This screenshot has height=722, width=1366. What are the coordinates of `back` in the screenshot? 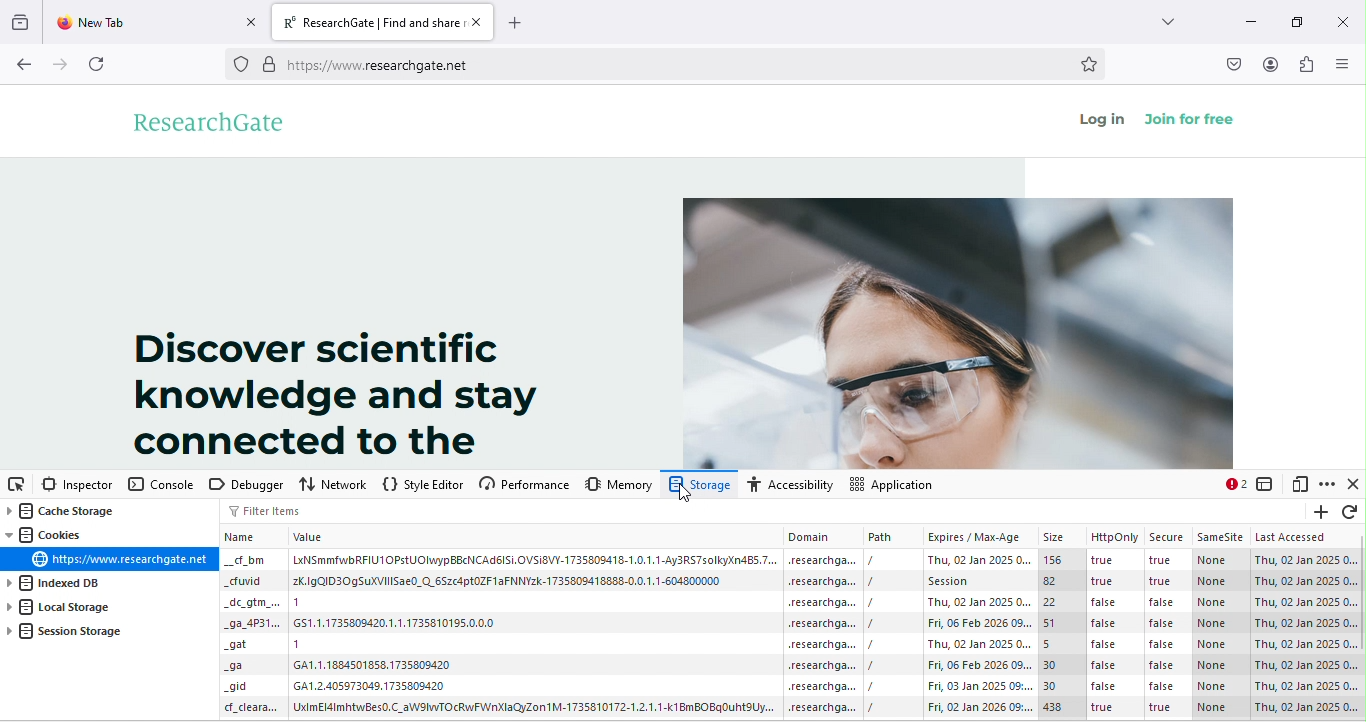 It's located at (22, 62).